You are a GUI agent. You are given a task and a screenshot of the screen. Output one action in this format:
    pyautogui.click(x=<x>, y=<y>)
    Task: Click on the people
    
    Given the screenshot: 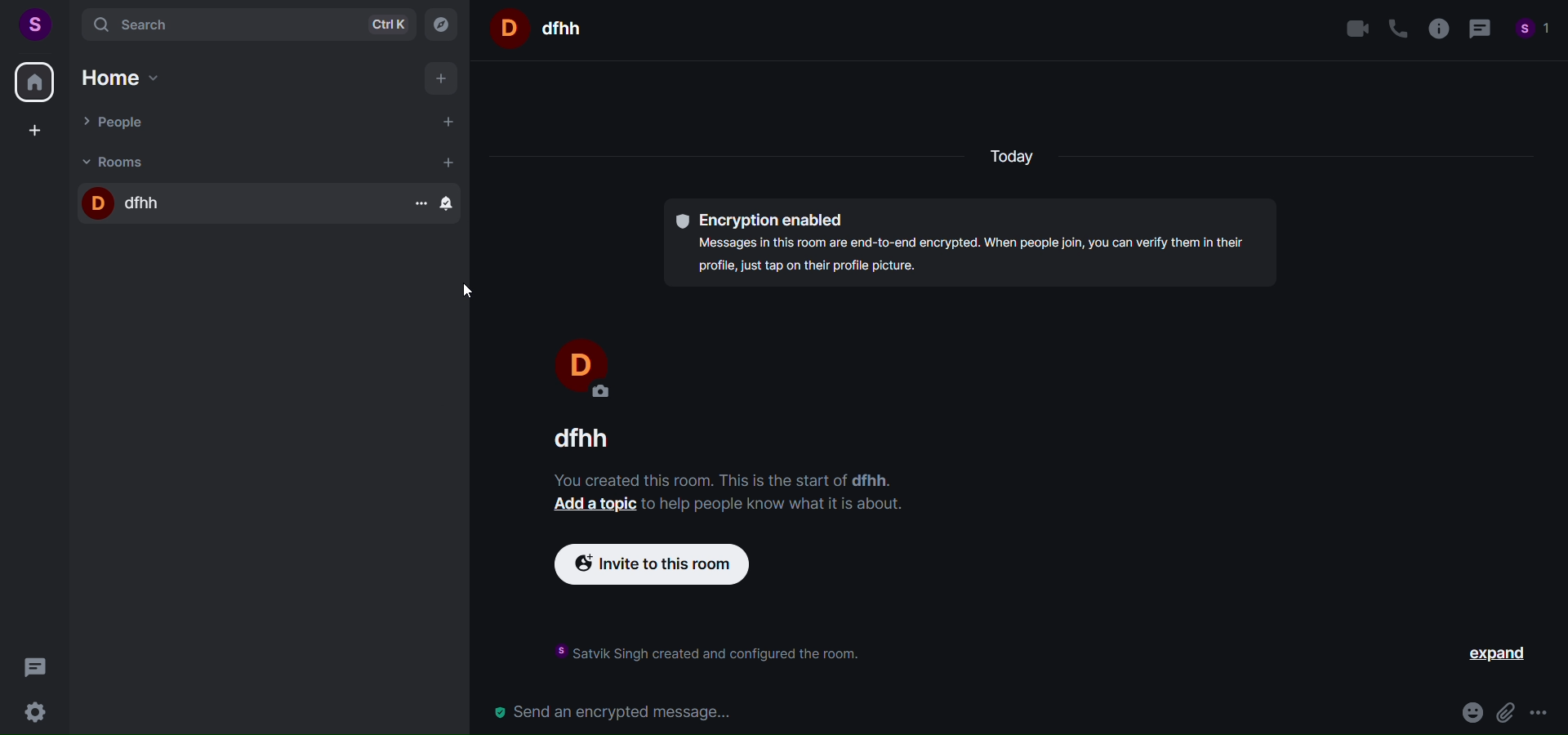 What is the action you would take?
    pyautogui.click(x=240, y=123)
    